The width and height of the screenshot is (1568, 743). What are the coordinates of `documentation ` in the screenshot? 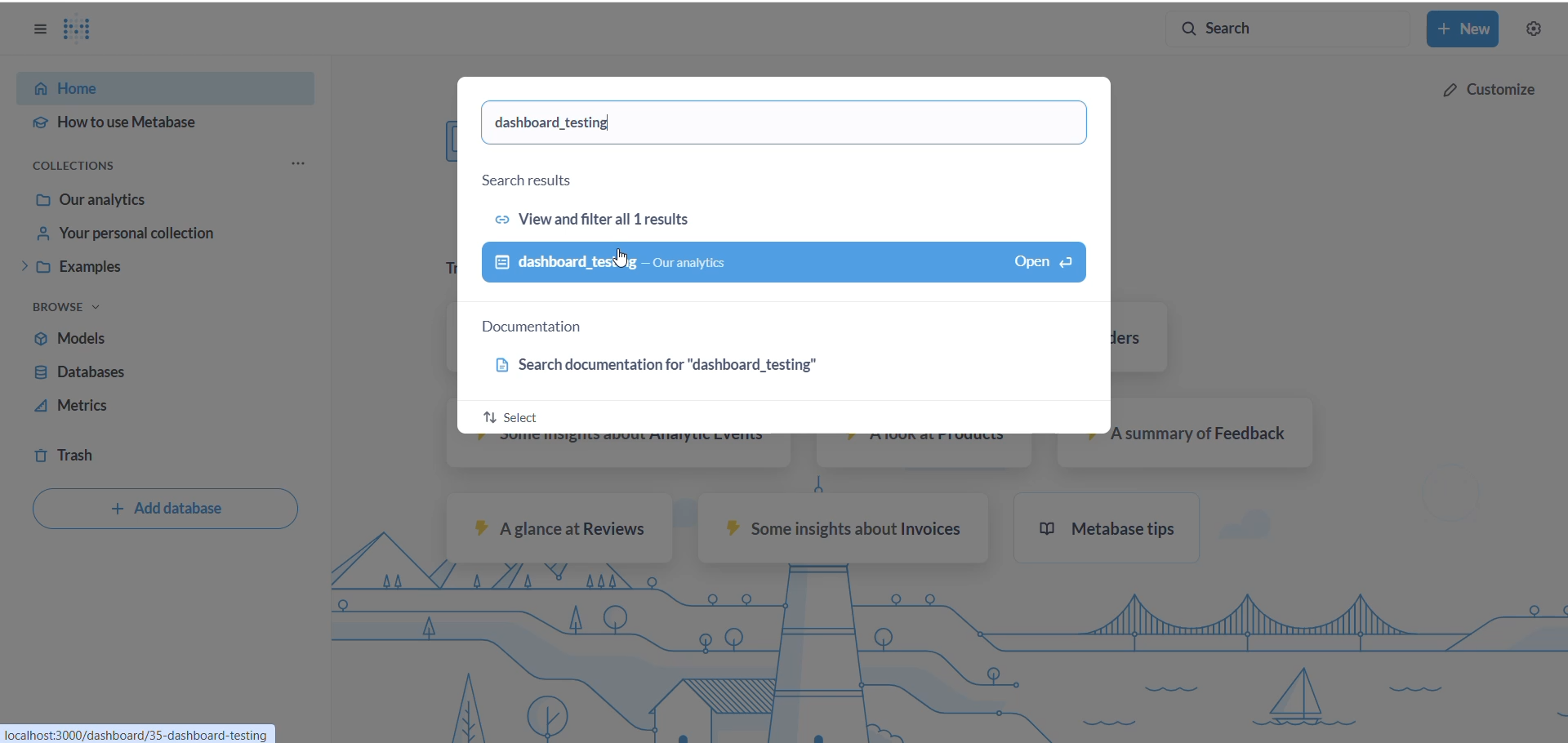 It's located at (545, 328).